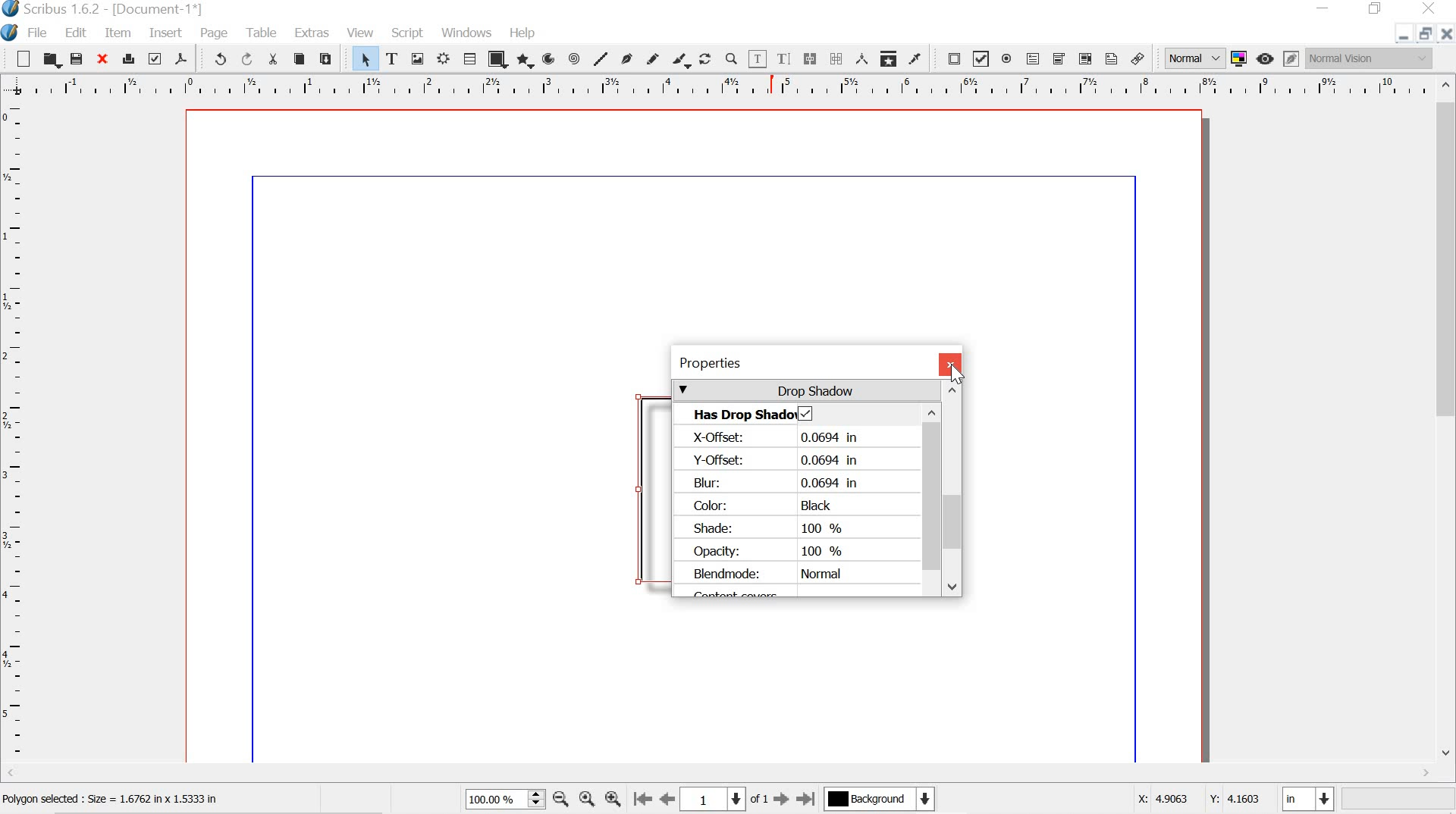 Image resolution: width=1456 pixels, height=814 pixels. I want to click on close, so click(101, 58).